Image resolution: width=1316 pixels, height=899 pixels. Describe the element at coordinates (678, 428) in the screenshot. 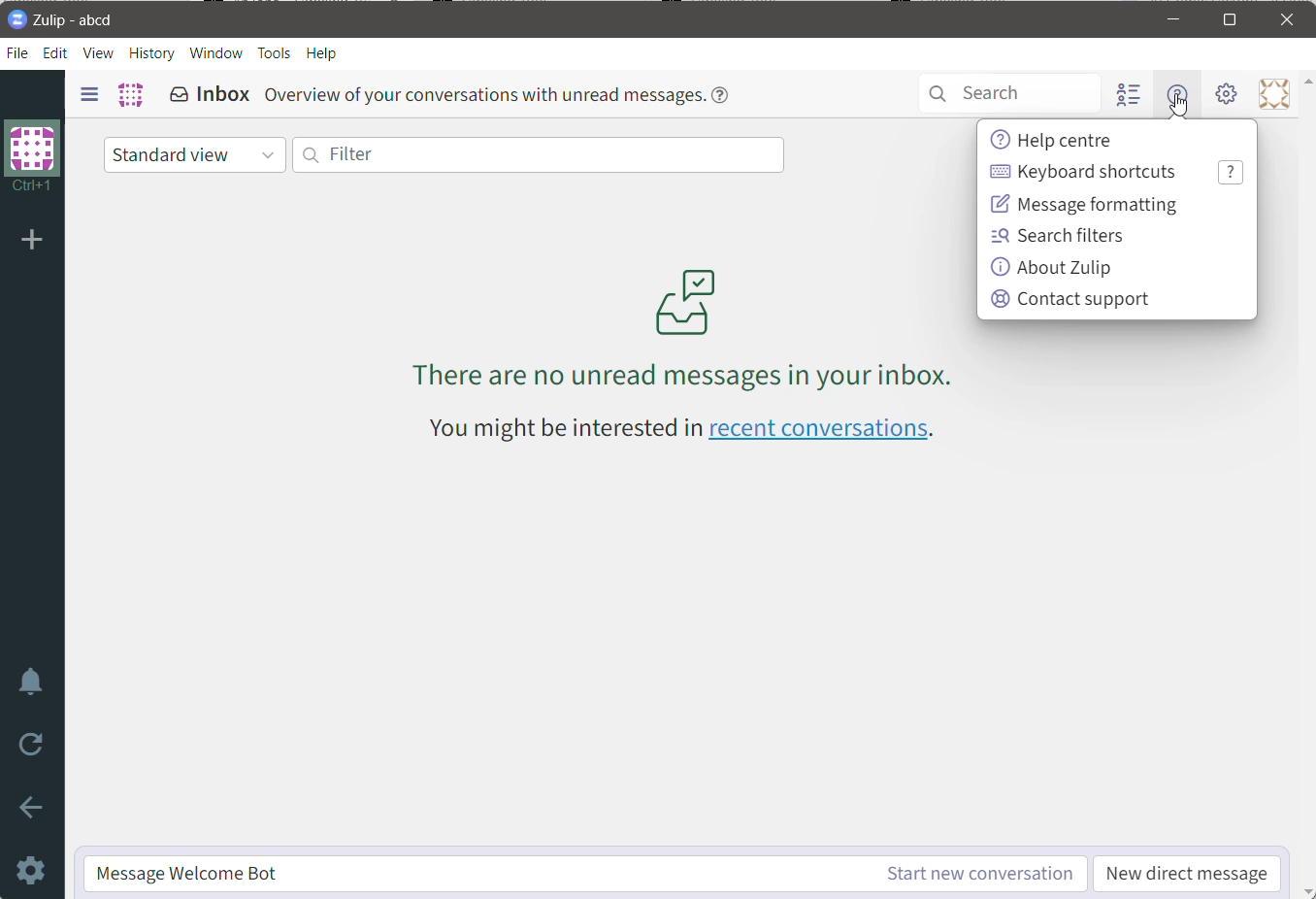

I see `You might be interested in recent conversations - Click link to view recent conversations` at that location.